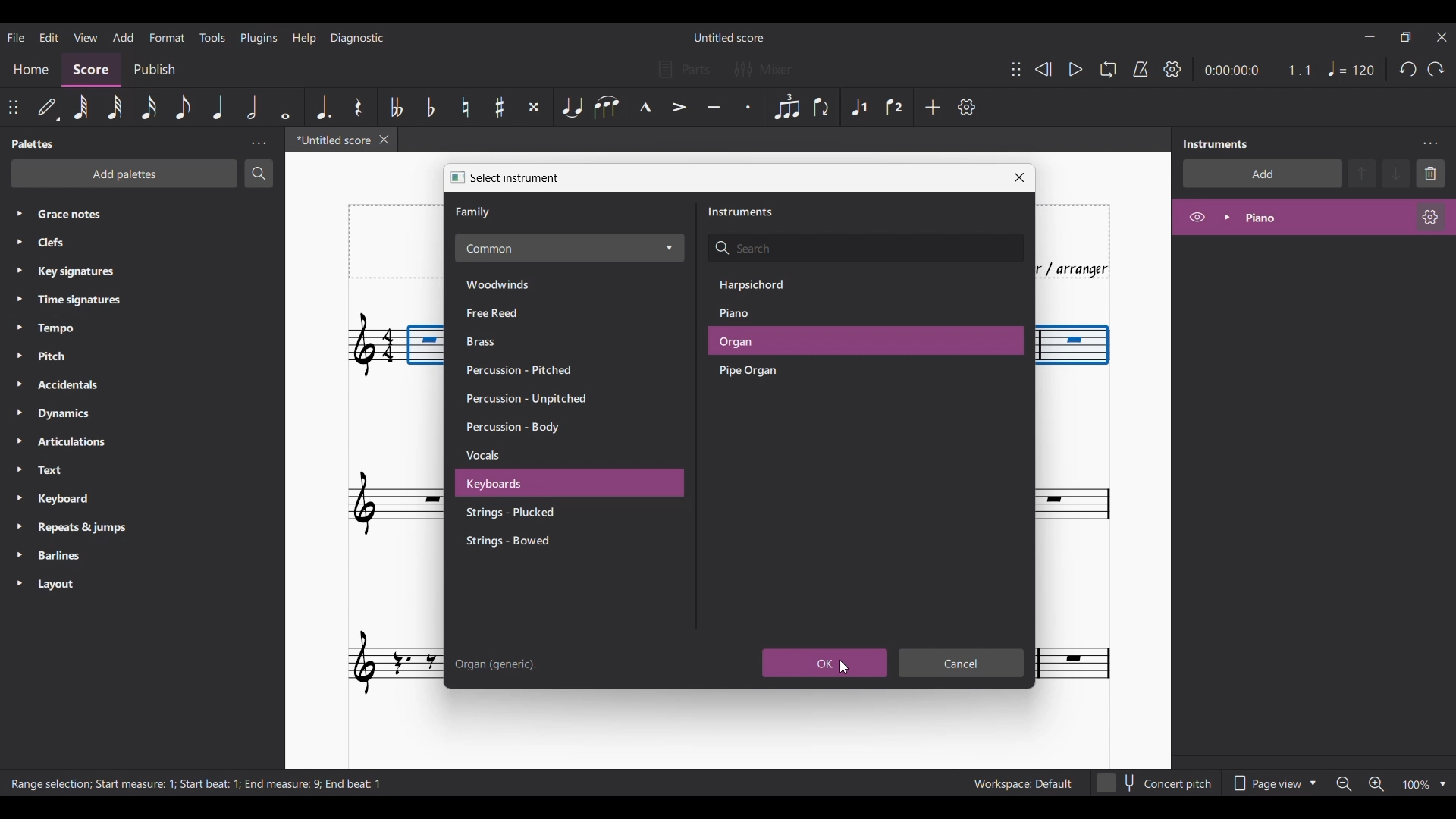 This screenshot has width=1456, height=819. I want to click on Change position of toolbar attached, so click(1016, 69).